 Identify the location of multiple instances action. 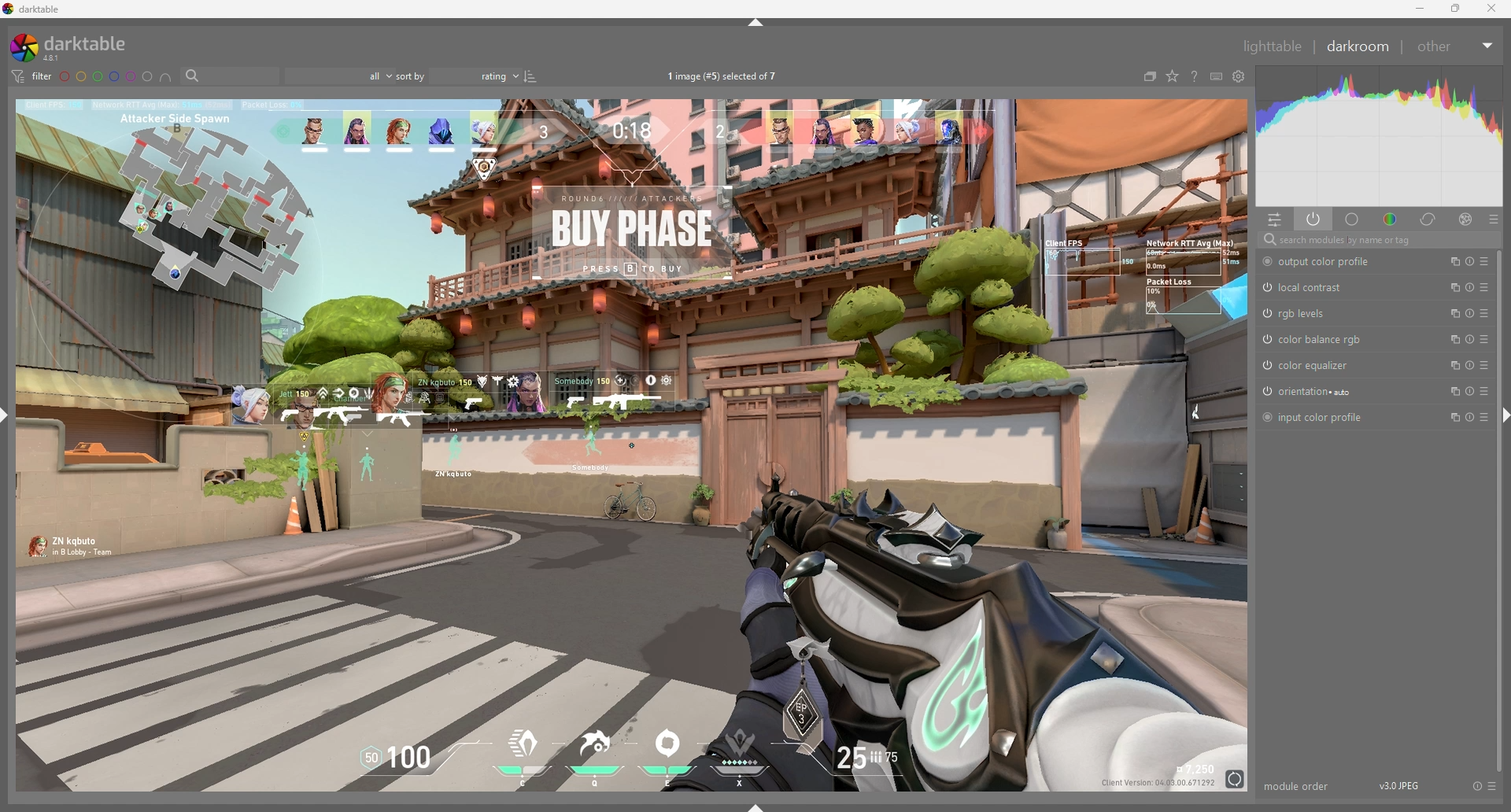
(1452, 340).